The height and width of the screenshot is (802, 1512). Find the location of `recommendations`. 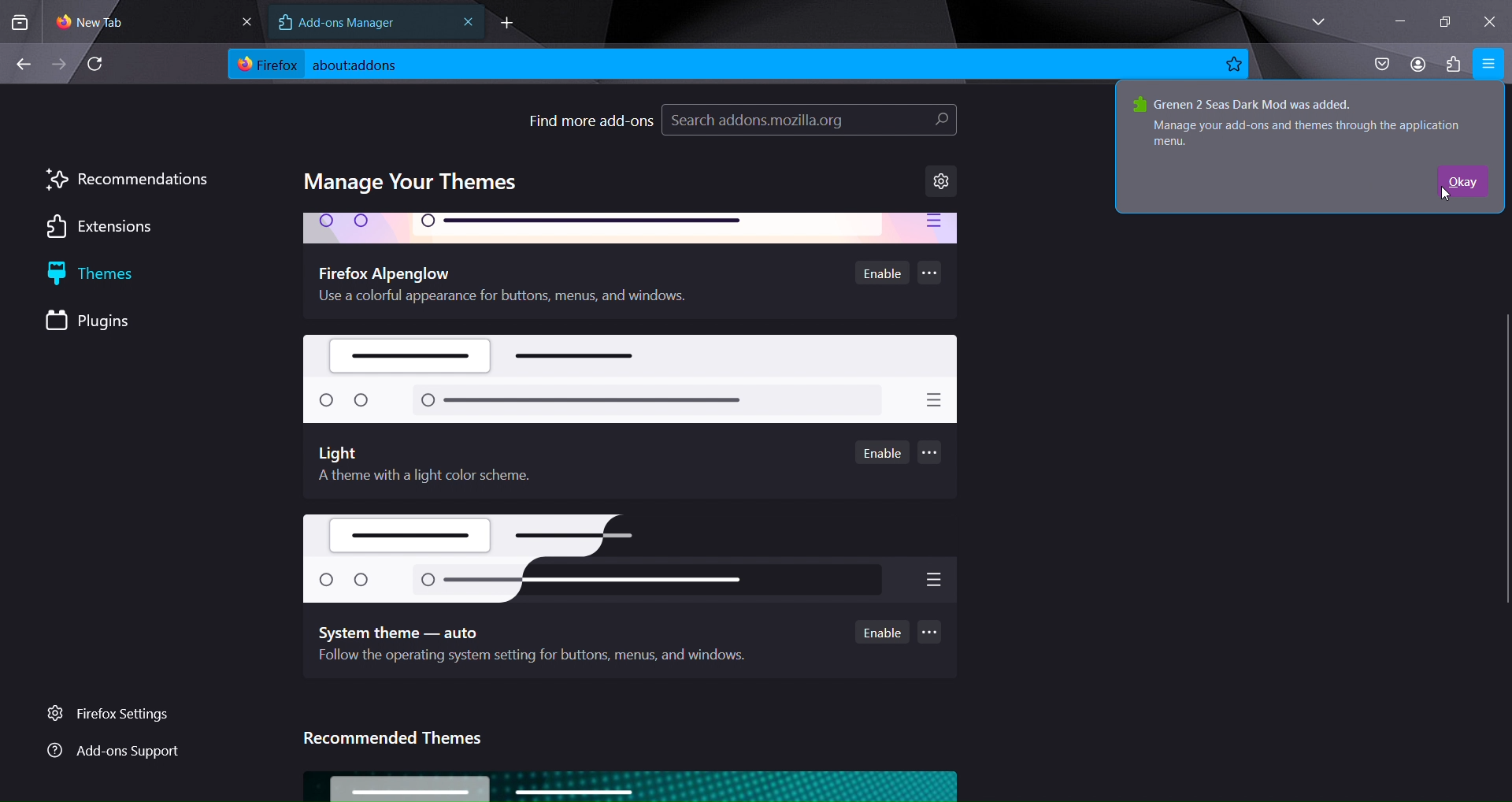

recommendations is located at coordinates (128, 179).